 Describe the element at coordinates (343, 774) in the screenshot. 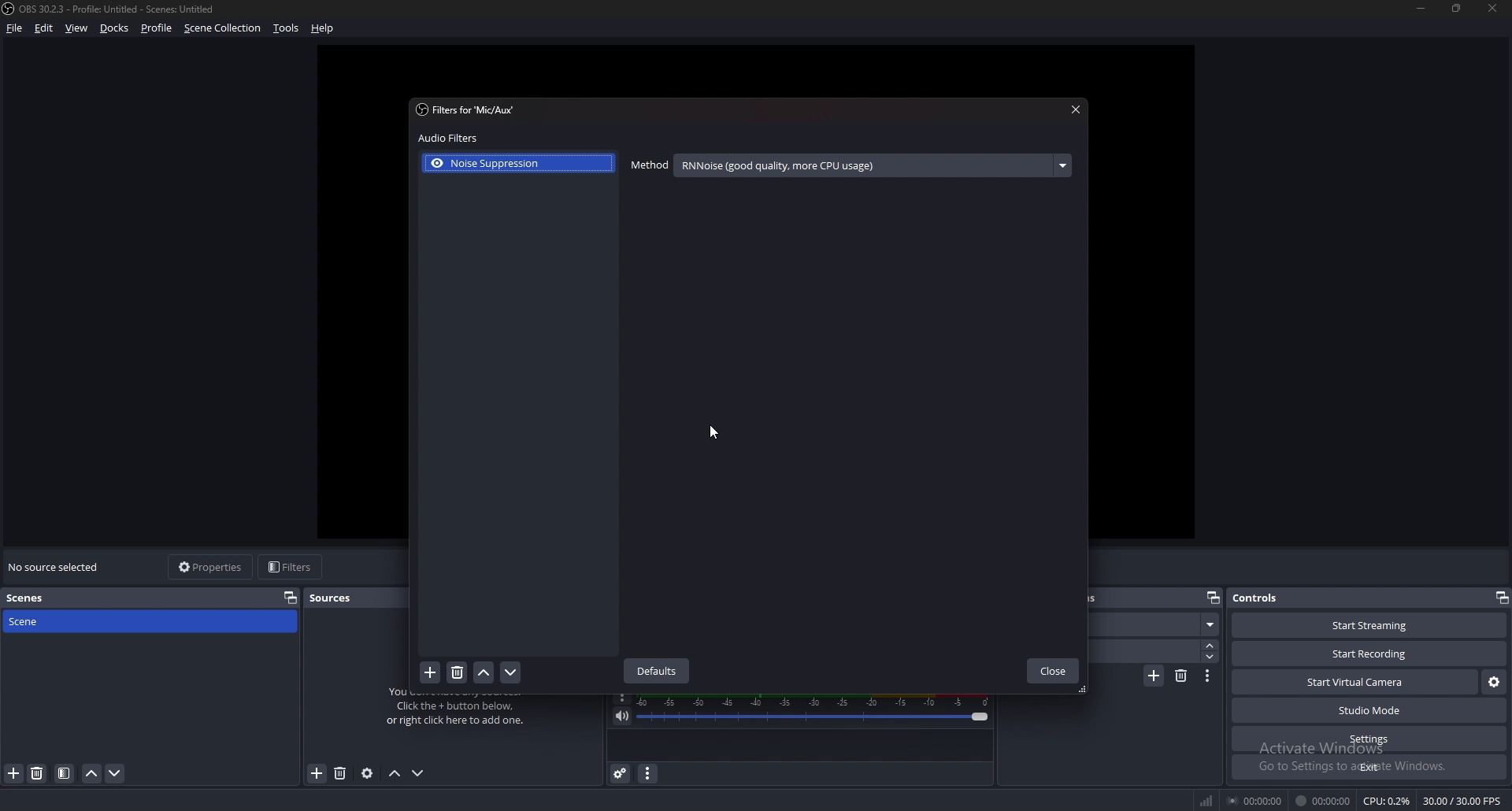

I see `add source` at that location.